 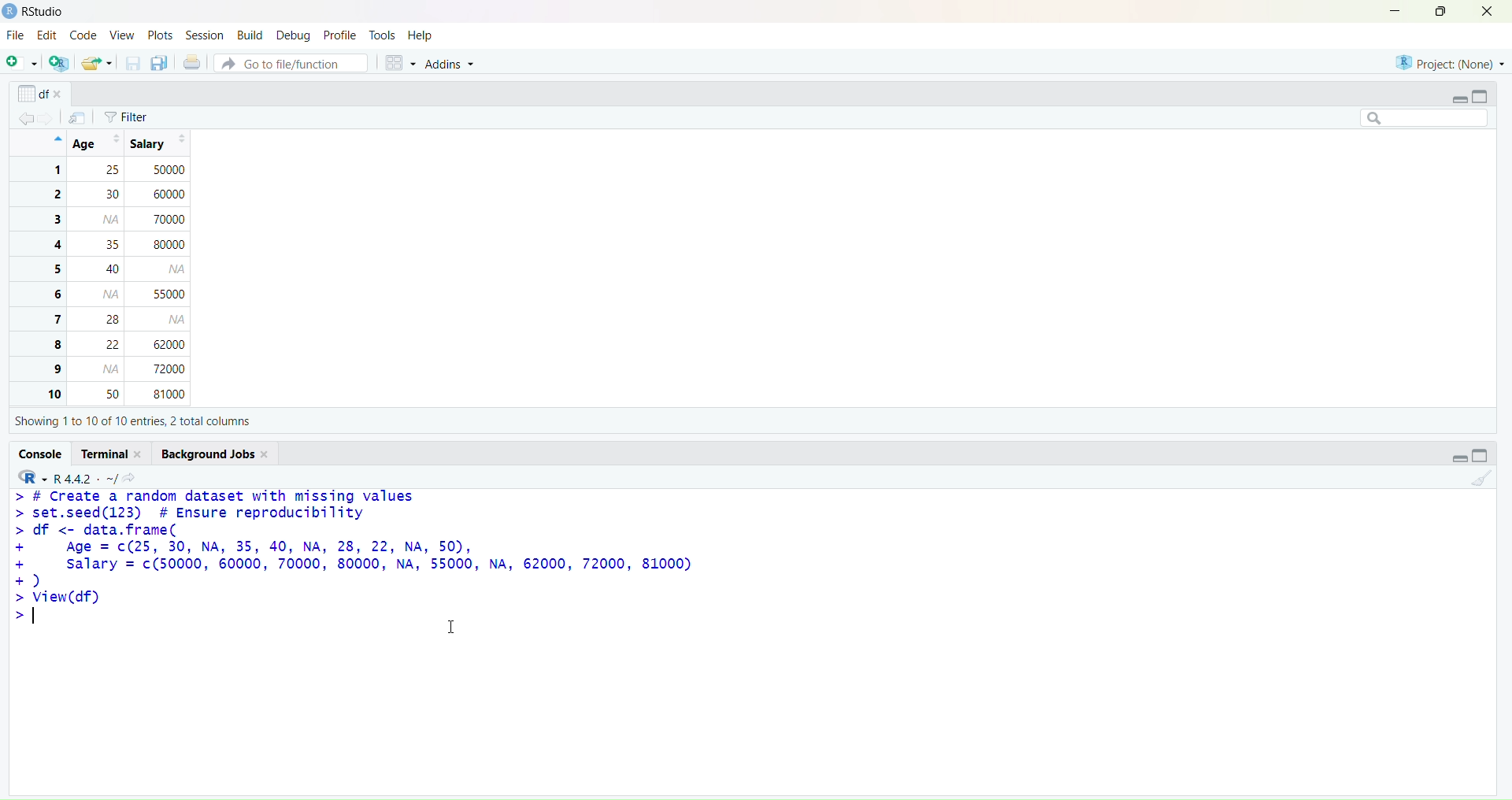 What do you see at coordinates (1390, 10) in the screenshot?
I see `minimize` at bounding box center [1390, 10].